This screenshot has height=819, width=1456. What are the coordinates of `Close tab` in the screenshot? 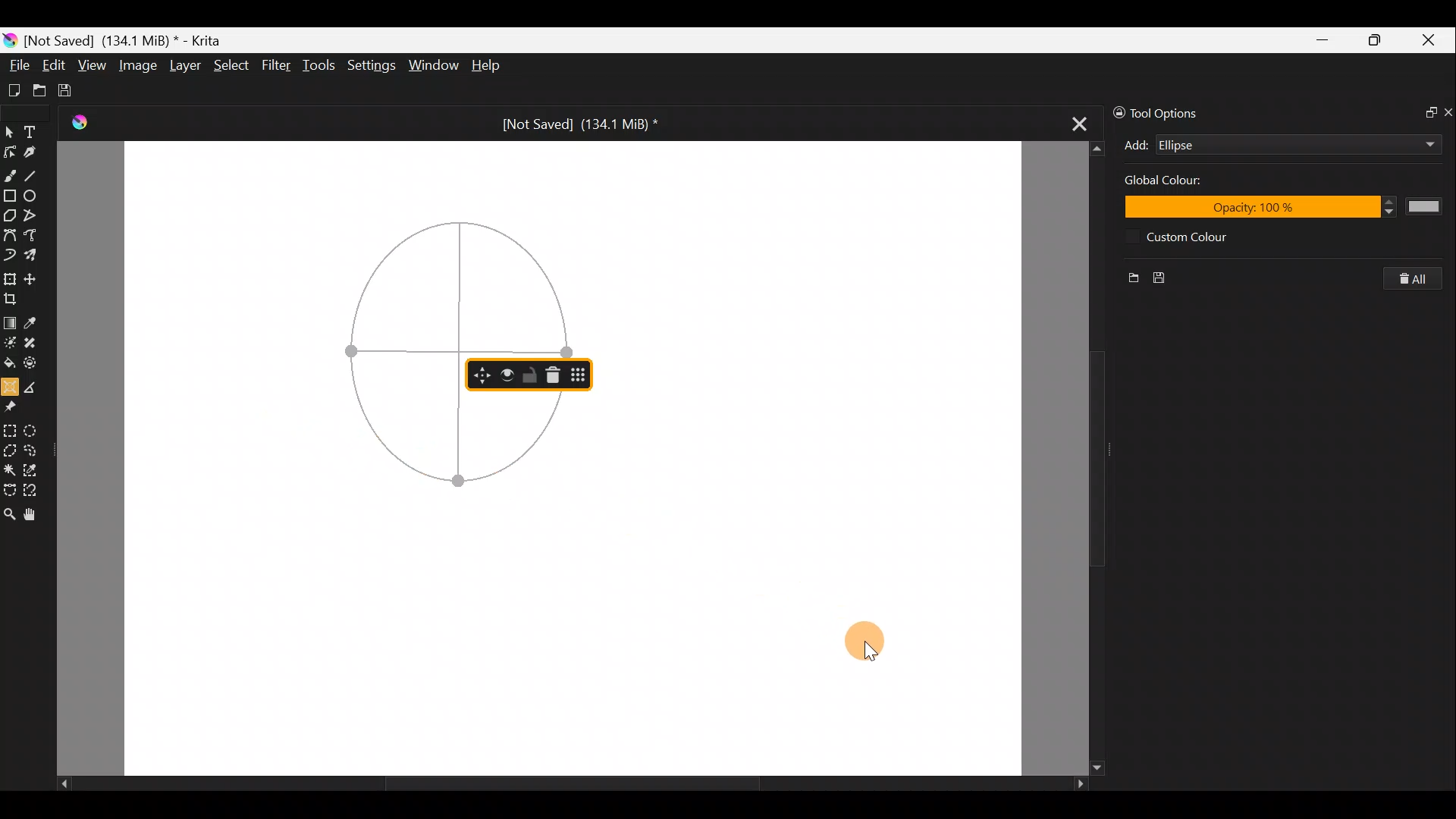 It's located at (1071, 124).